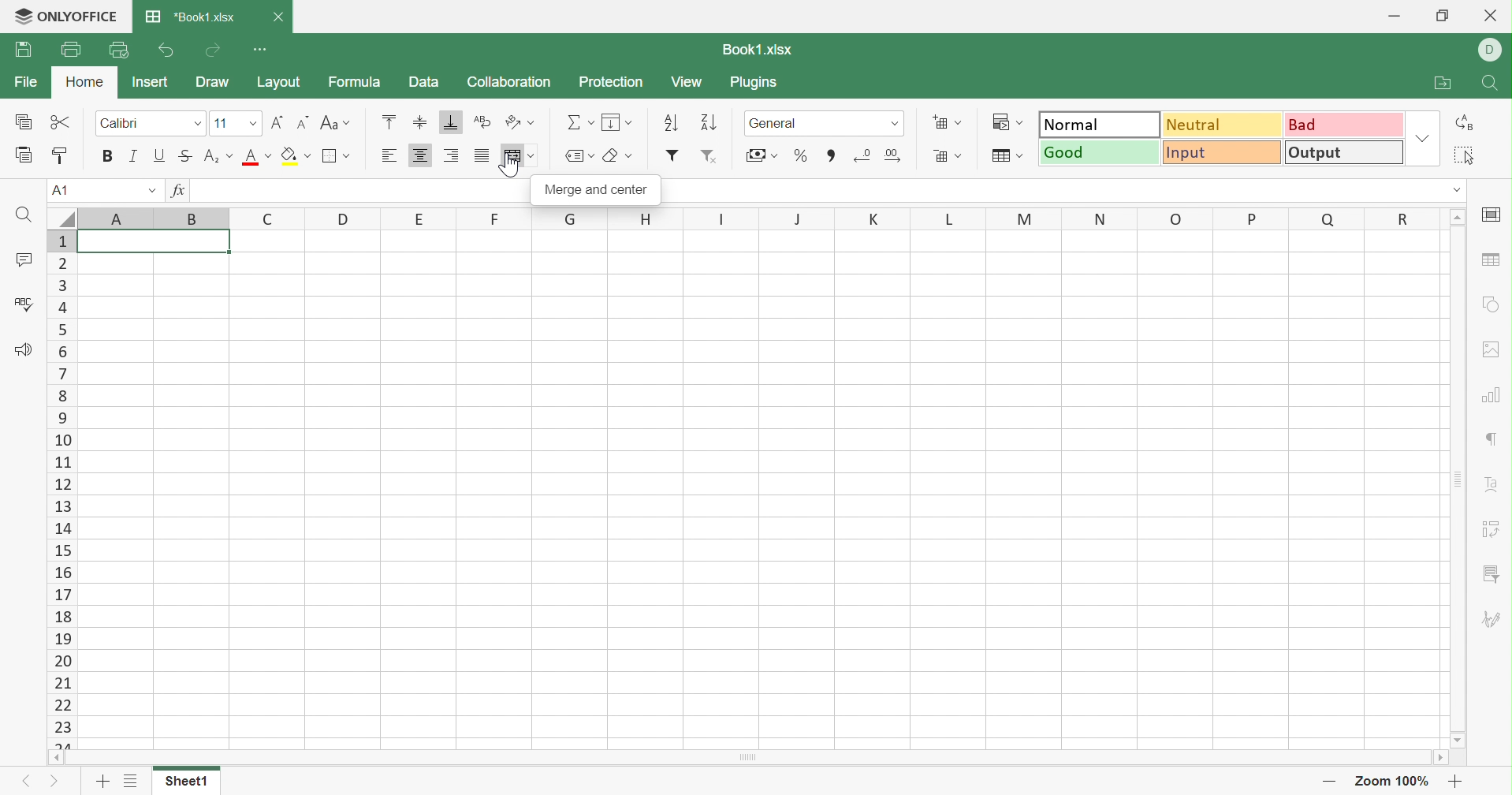 The image size is (1512, 795). I want to click on Copy Style, so click(62, 153).